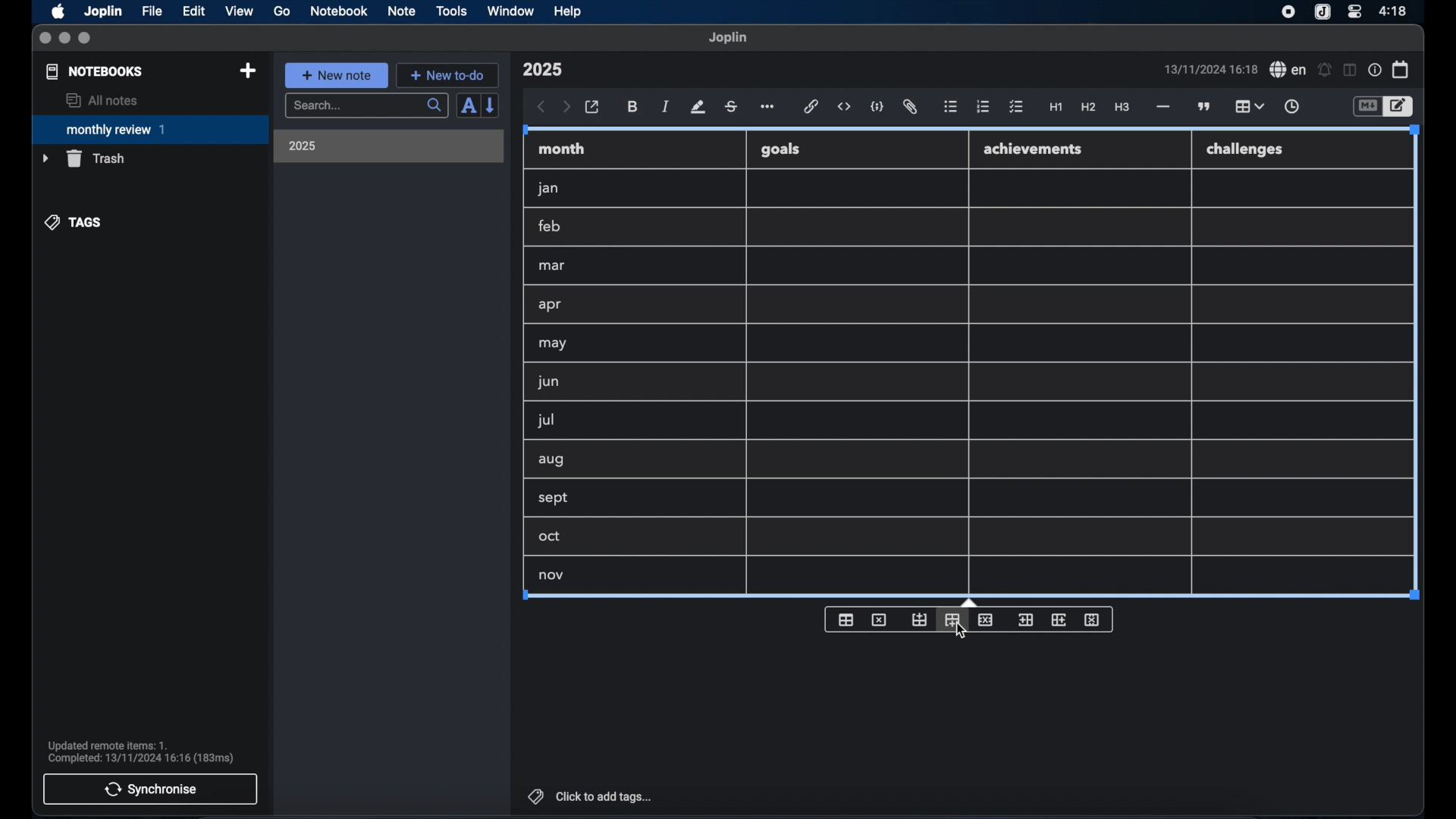 The height and width of the screenshot is (819, 1456). Describe the element at coordinates (1351, 70) in the screenshot. I see `toggle editor layout` at that location.